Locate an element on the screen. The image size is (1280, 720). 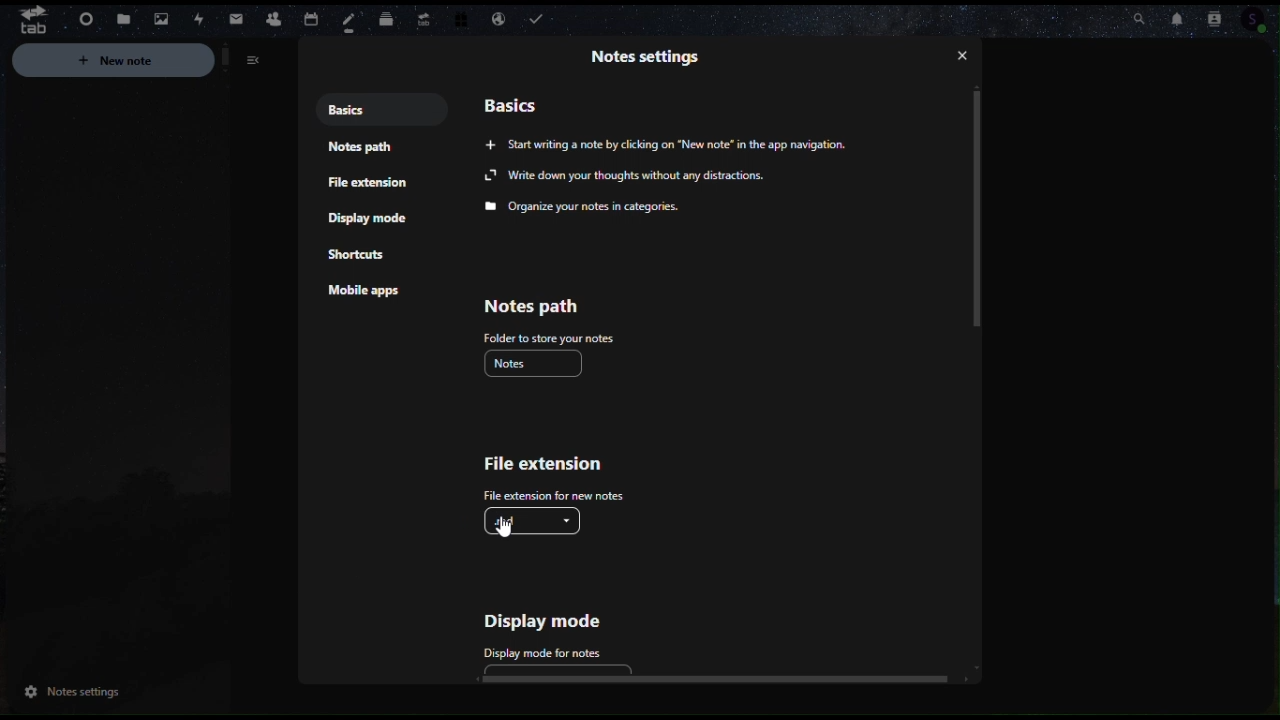
profile is located at coordinates (1265, 21).